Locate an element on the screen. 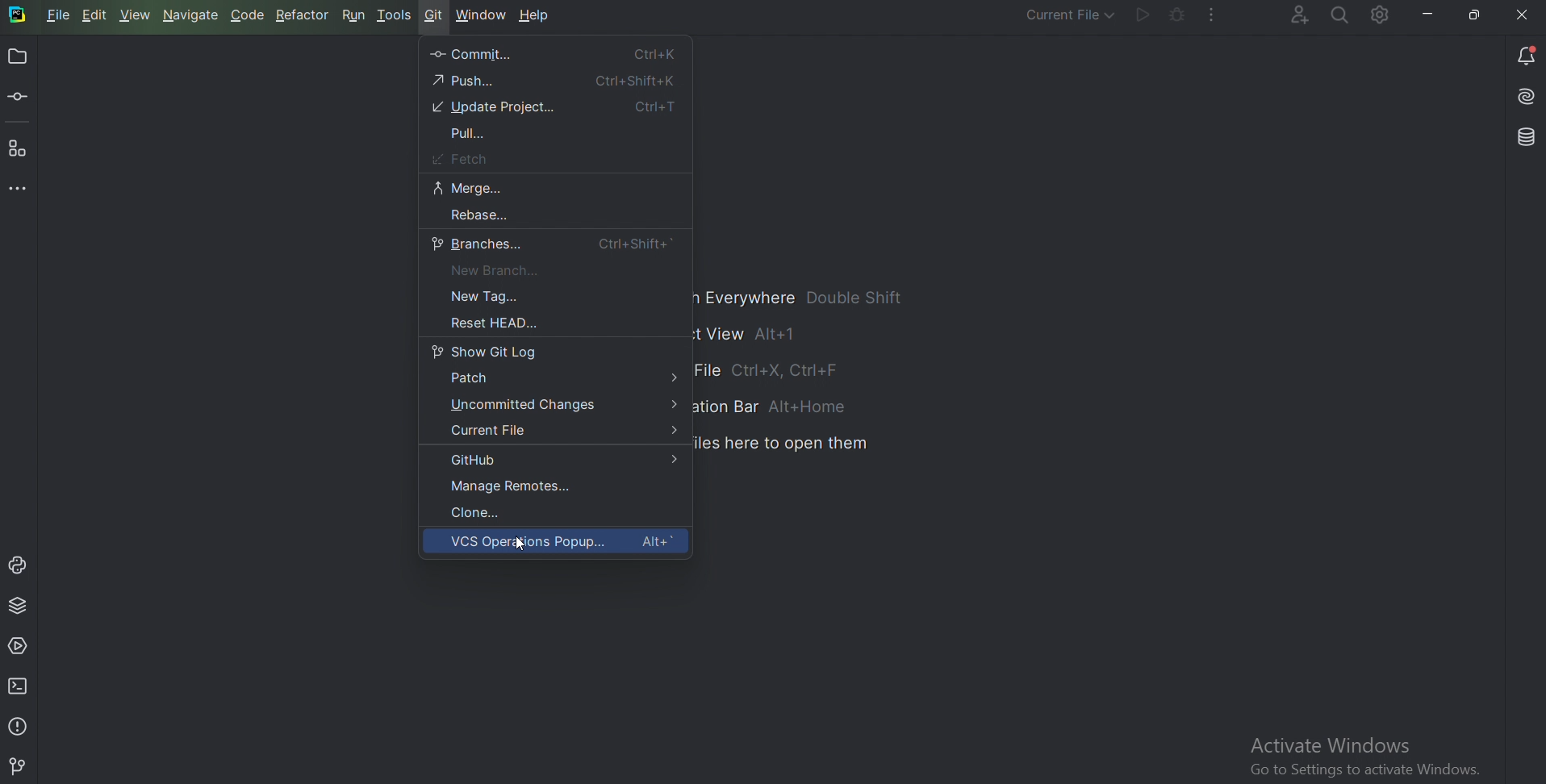 Image resolution: width=1546 pixels, height=784 pixels. Debug is located at coordinates (1172, 16).